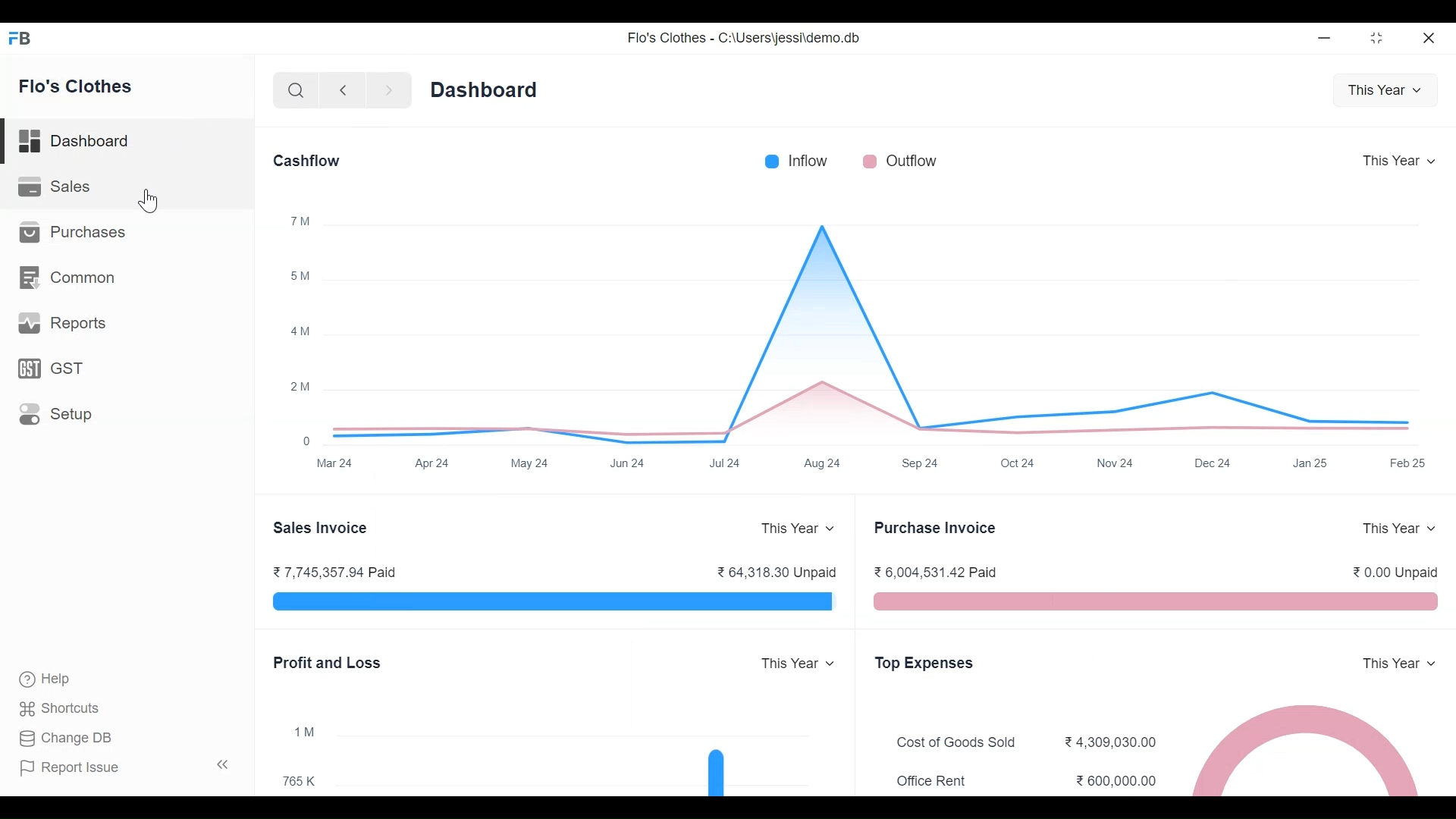 The image size is (1456, 819). Describe the element at coordinates (299, 90) in the screenshot. I see `Search` at that location.